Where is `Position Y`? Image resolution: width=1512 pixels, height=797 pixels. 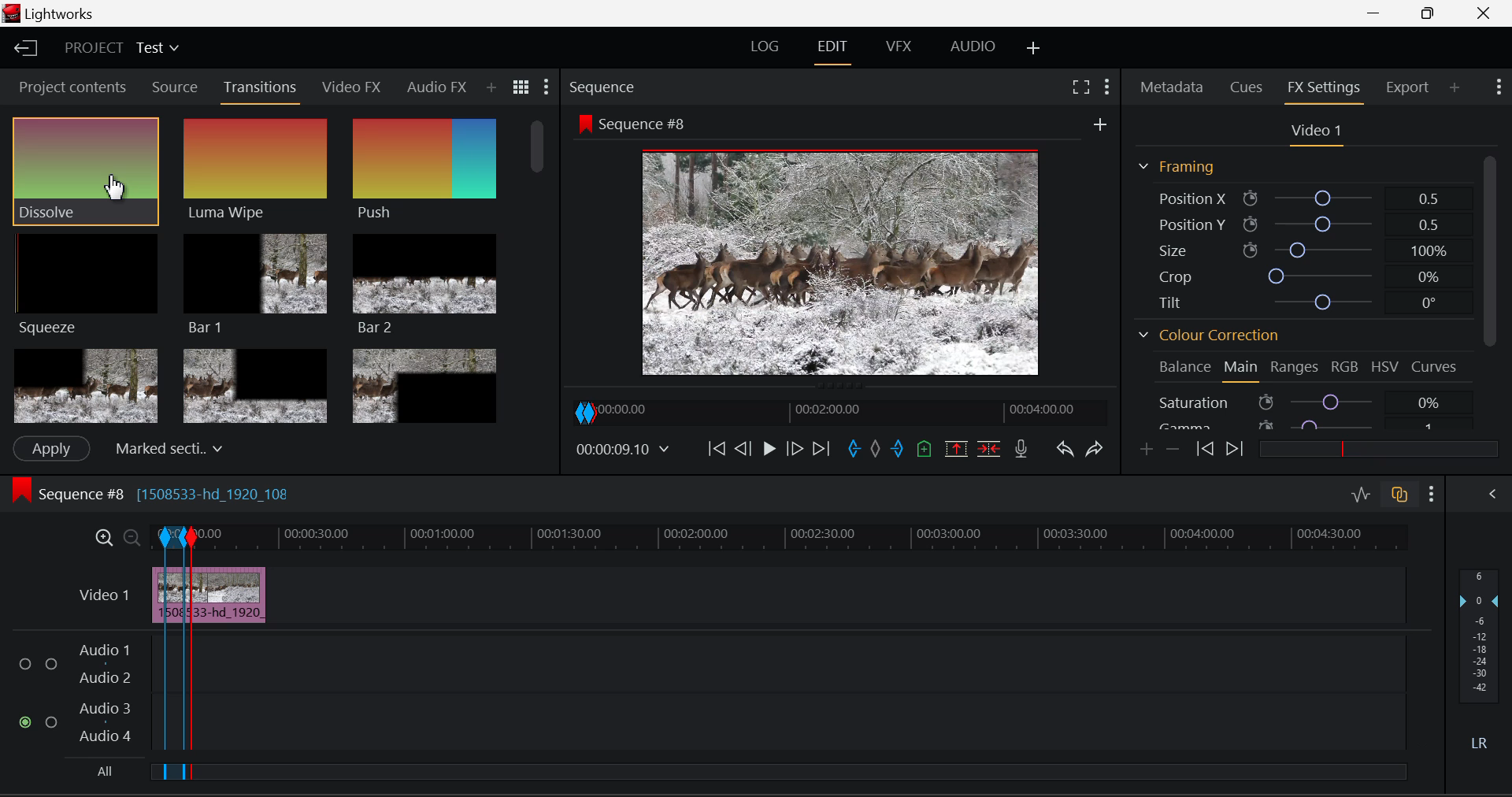 Position Y is located at coordinates (1295, 221).